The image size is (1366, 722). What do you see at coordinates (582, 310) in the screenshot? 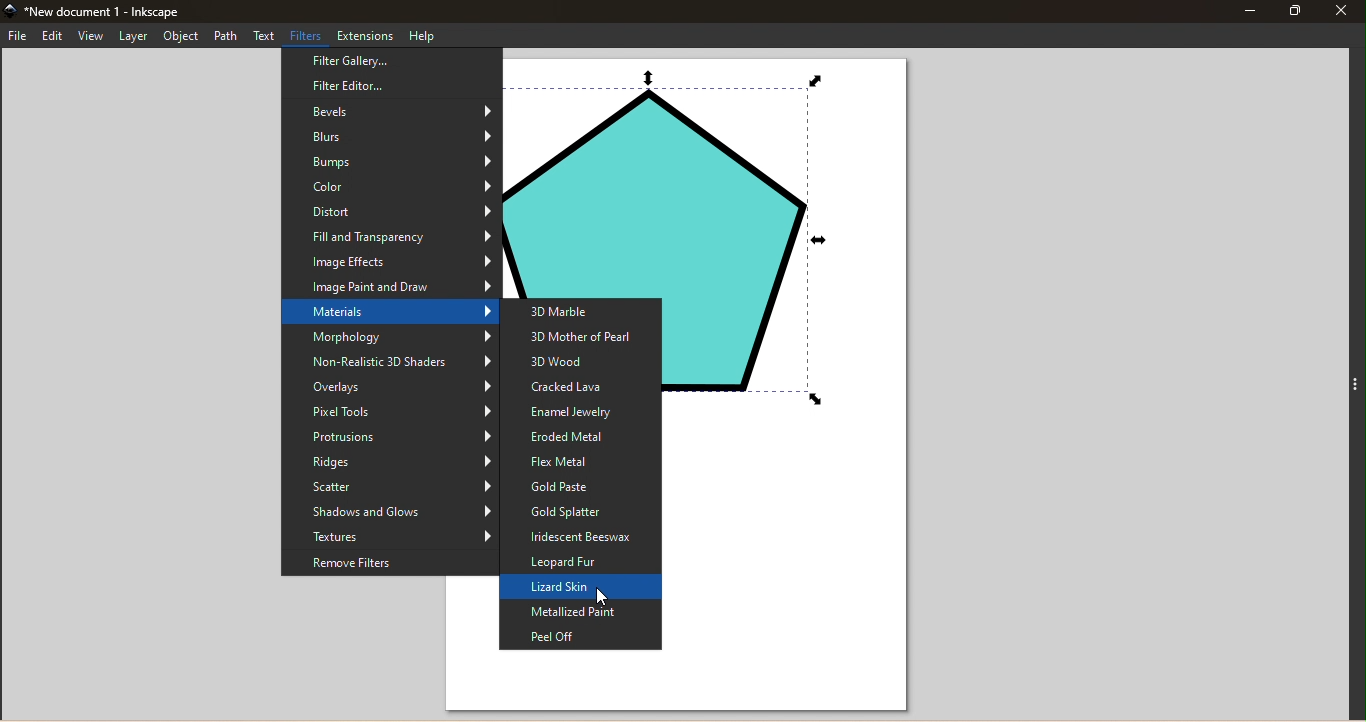
I see `3D Marble` at bounding box center [582, 310].